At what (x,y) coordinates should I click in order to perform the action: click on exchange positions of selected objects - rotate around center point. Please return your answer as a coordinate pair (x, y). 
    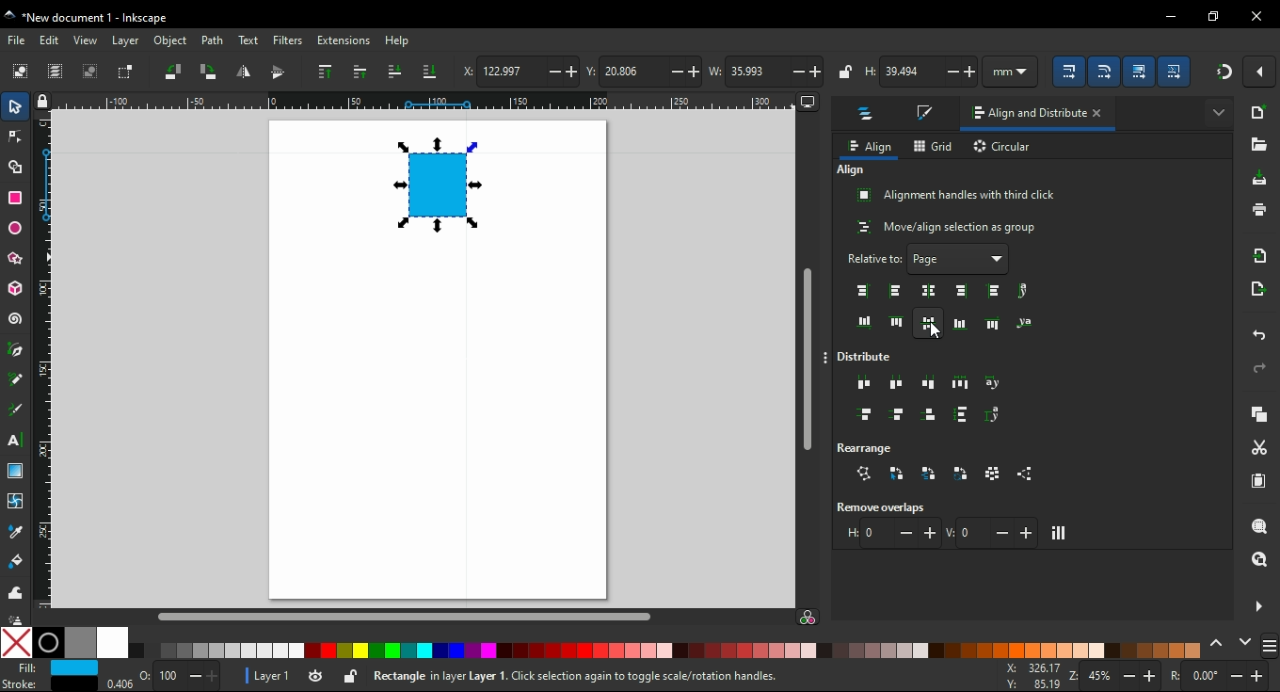
    Looking at the image, I should click on (962, 474).